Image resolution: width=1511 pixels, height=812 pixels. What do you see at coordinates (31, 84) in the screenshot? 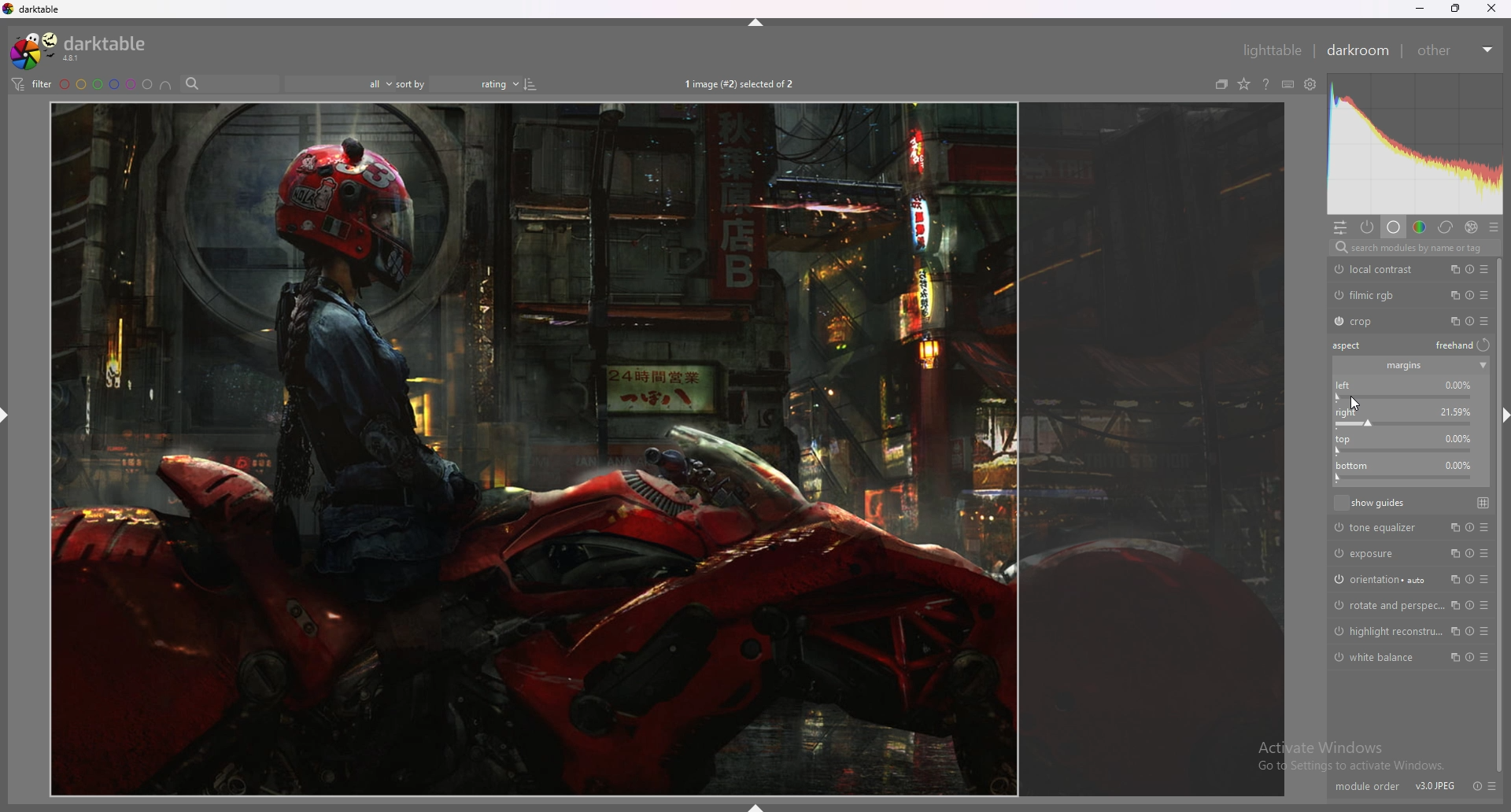
I see `filter` at bounding box center [31, 84].